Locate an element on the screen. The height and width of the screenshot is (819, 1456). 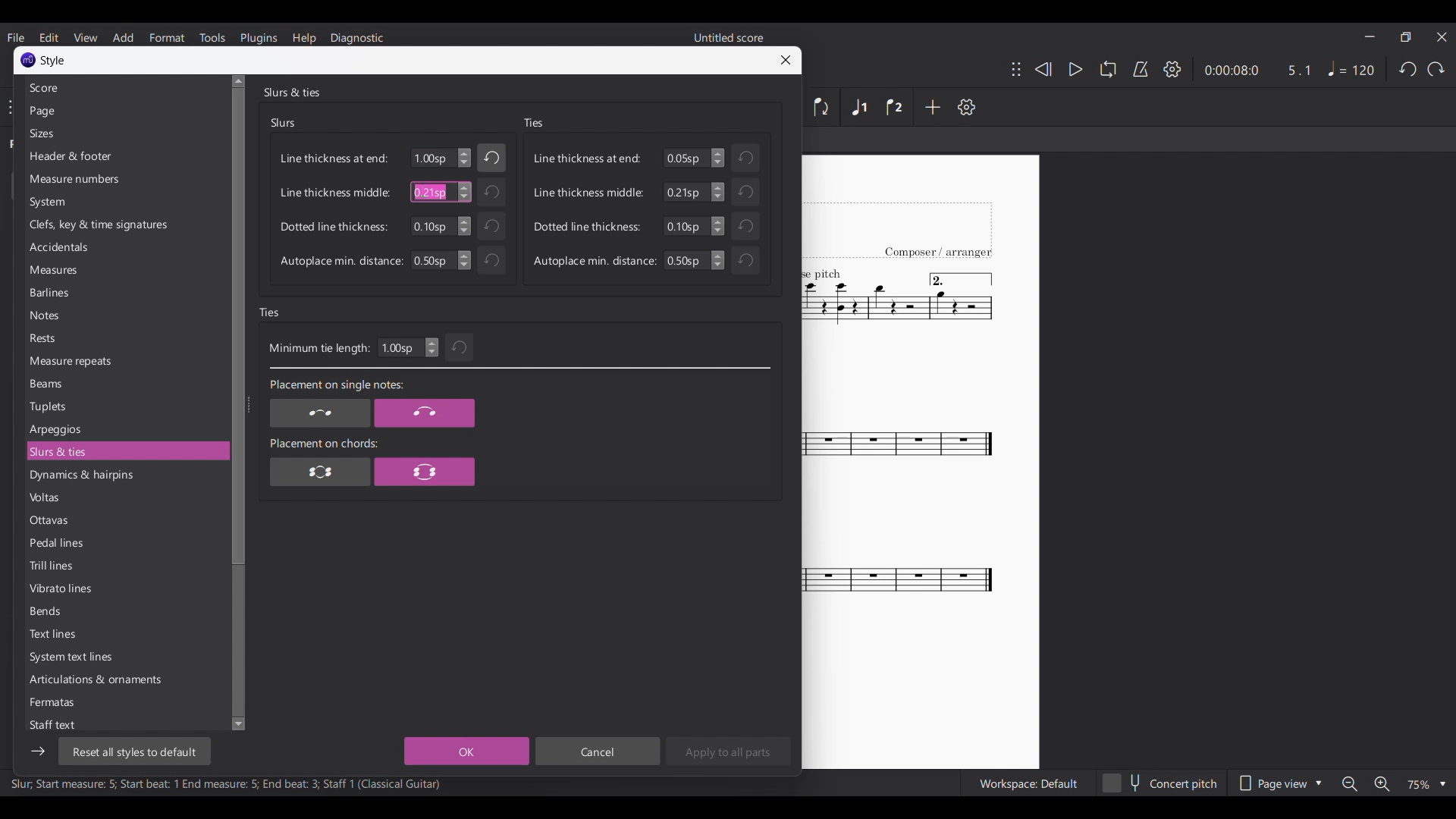
Close window is located at coordinates (786, 60).